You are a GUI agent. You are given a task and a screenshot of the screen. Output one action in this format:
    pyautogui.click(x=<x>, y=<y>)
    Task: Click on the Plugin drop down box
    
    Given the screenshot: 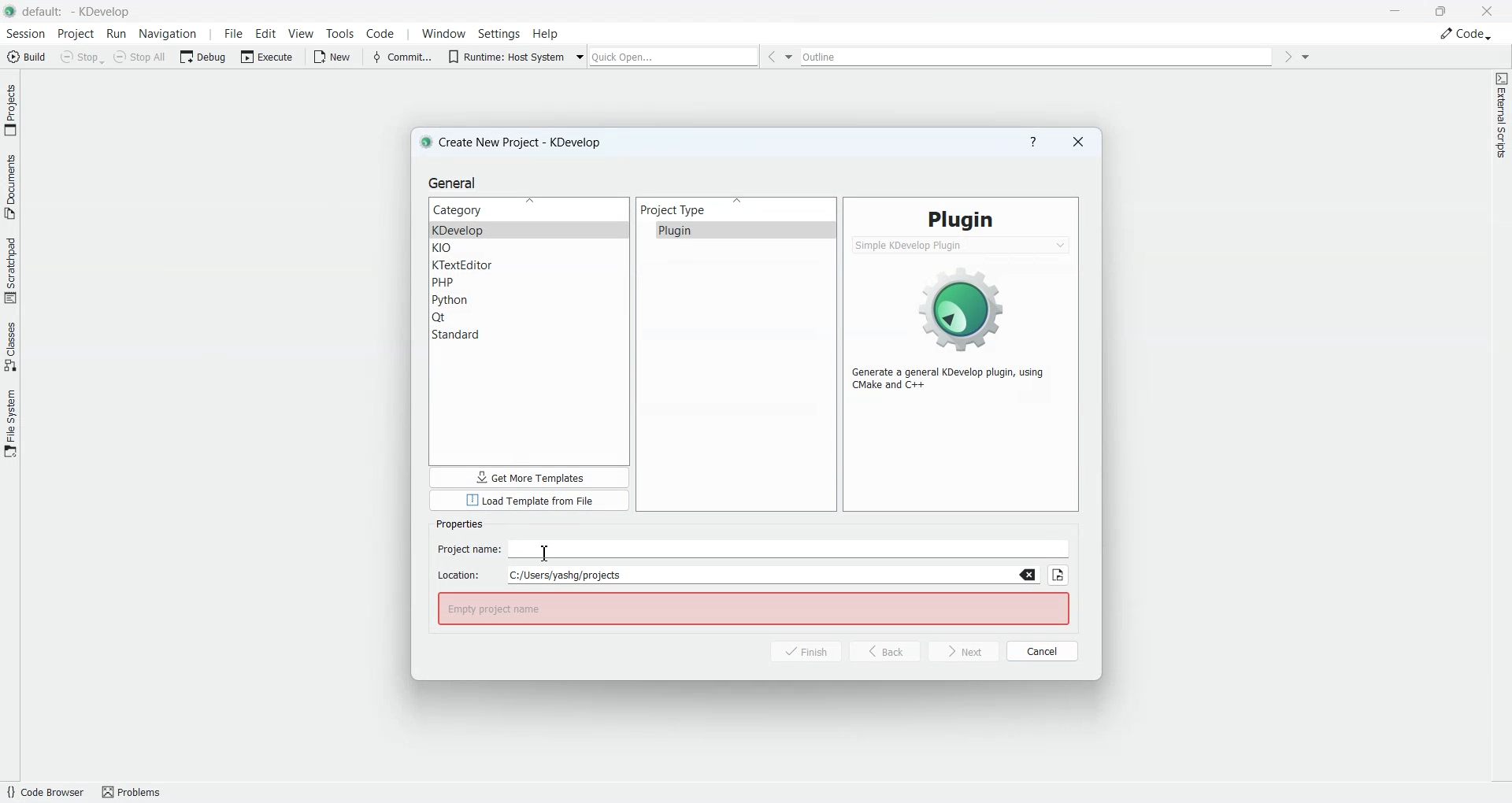 What is the action you would take?
    pyautogui.click(x=962, y=245)
    